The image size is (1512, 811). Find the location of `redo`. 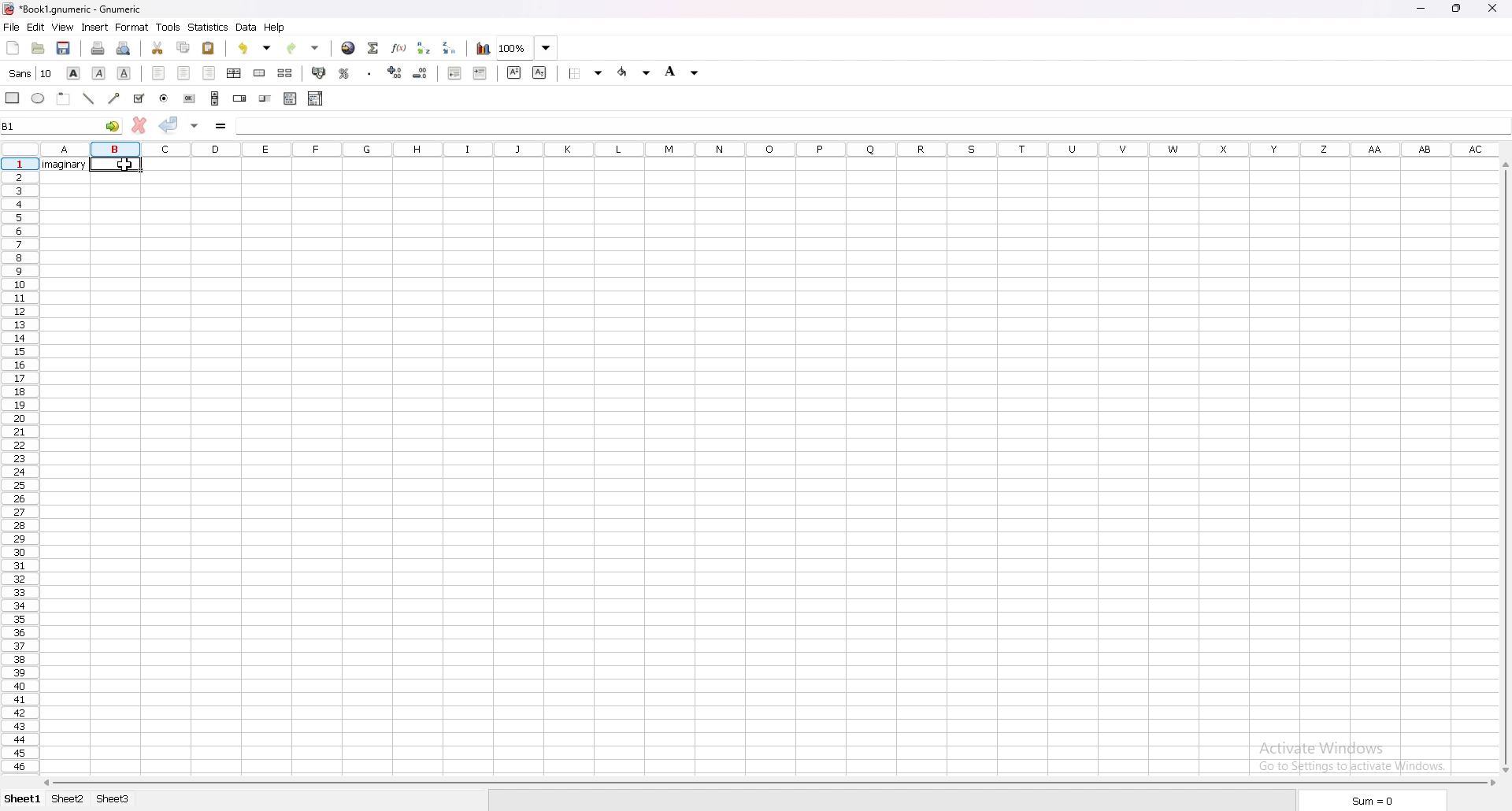

redo is located at coordinates (303, 48).